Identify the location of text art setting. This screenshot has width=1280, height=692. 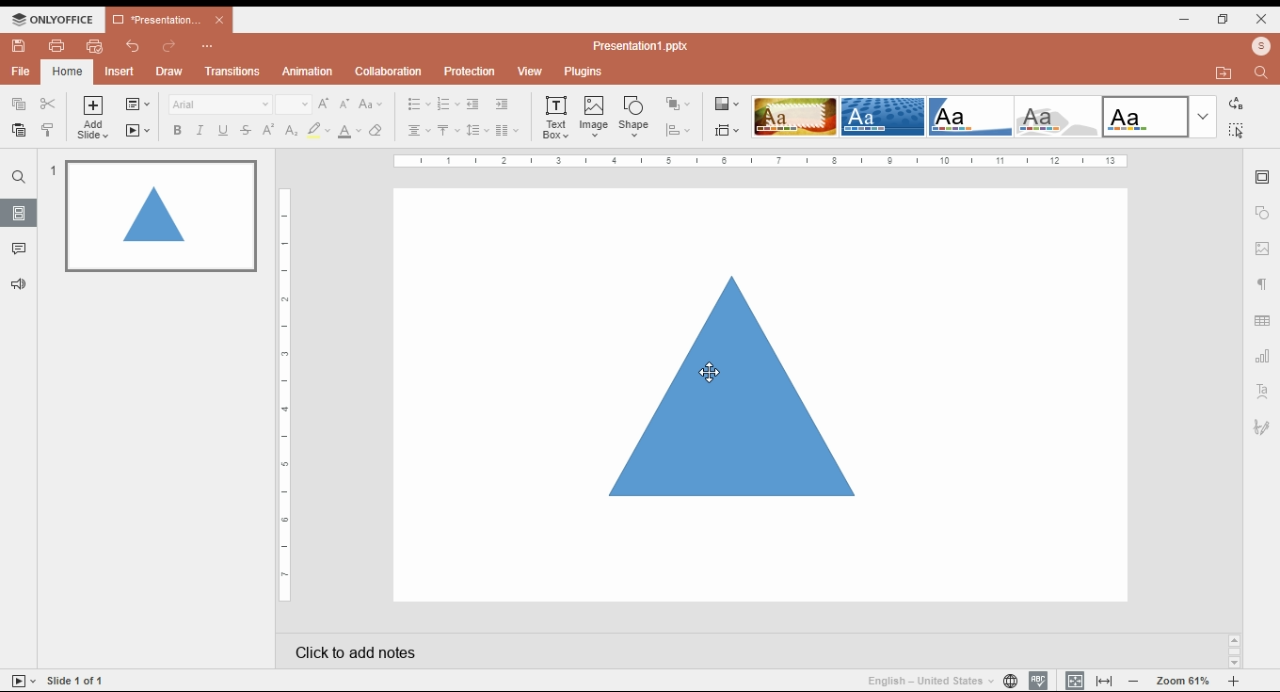
(1262, 391).